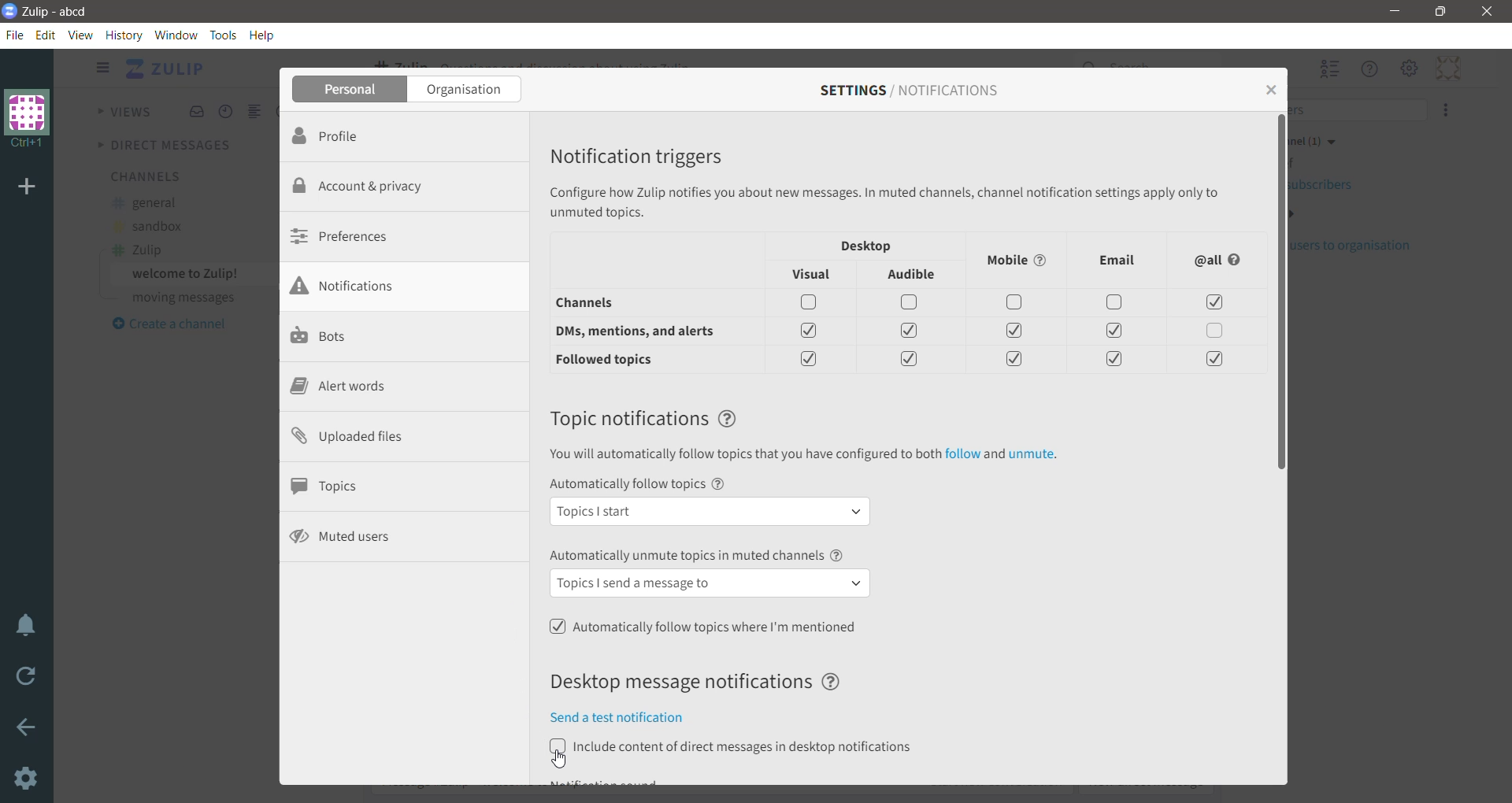 The width and height of the screenshot is (1512, 803). I want to click on check box, so click(910, 303).